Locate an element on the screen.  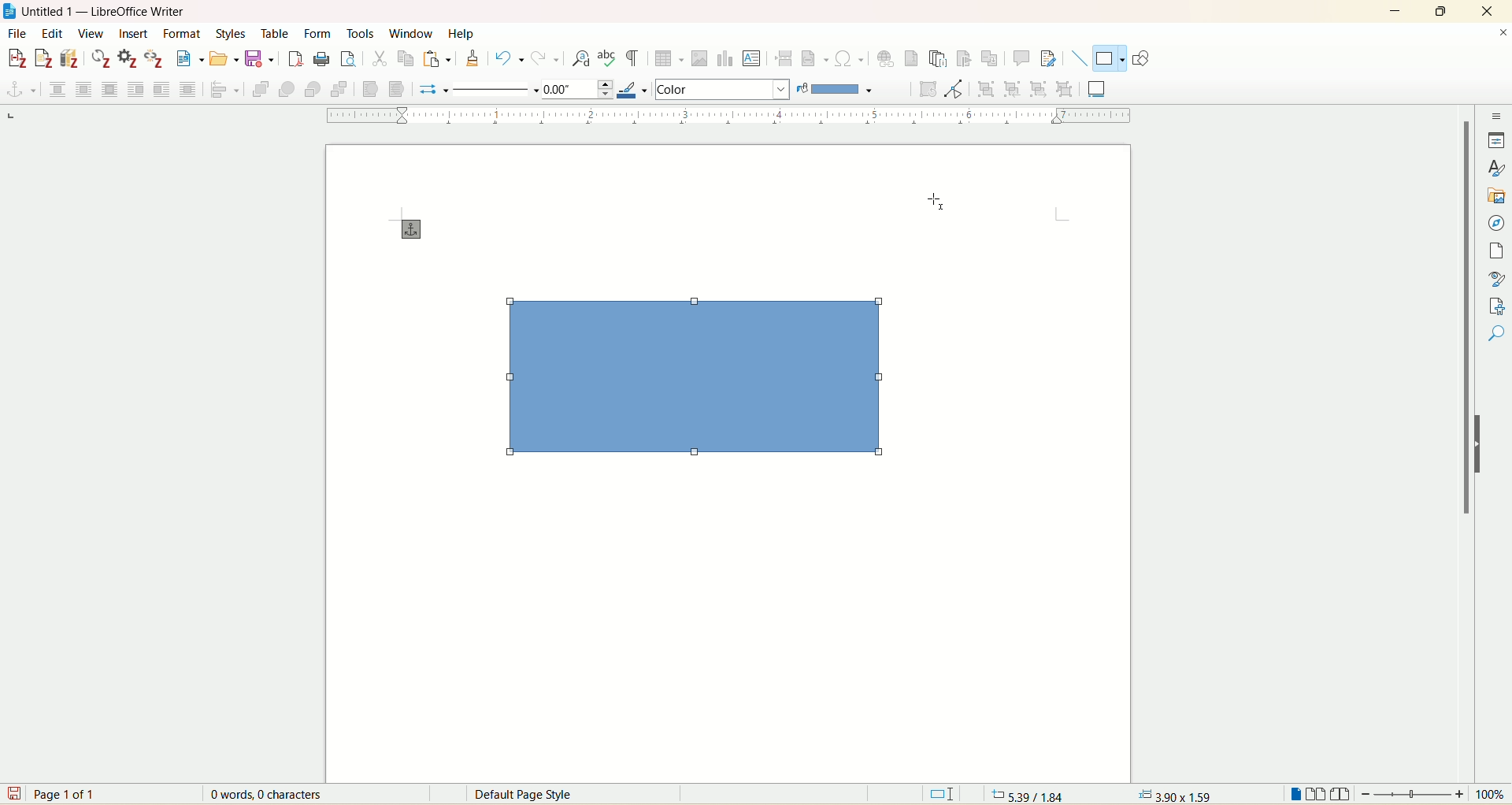
insert caption is located at coordinates (1097, 87).